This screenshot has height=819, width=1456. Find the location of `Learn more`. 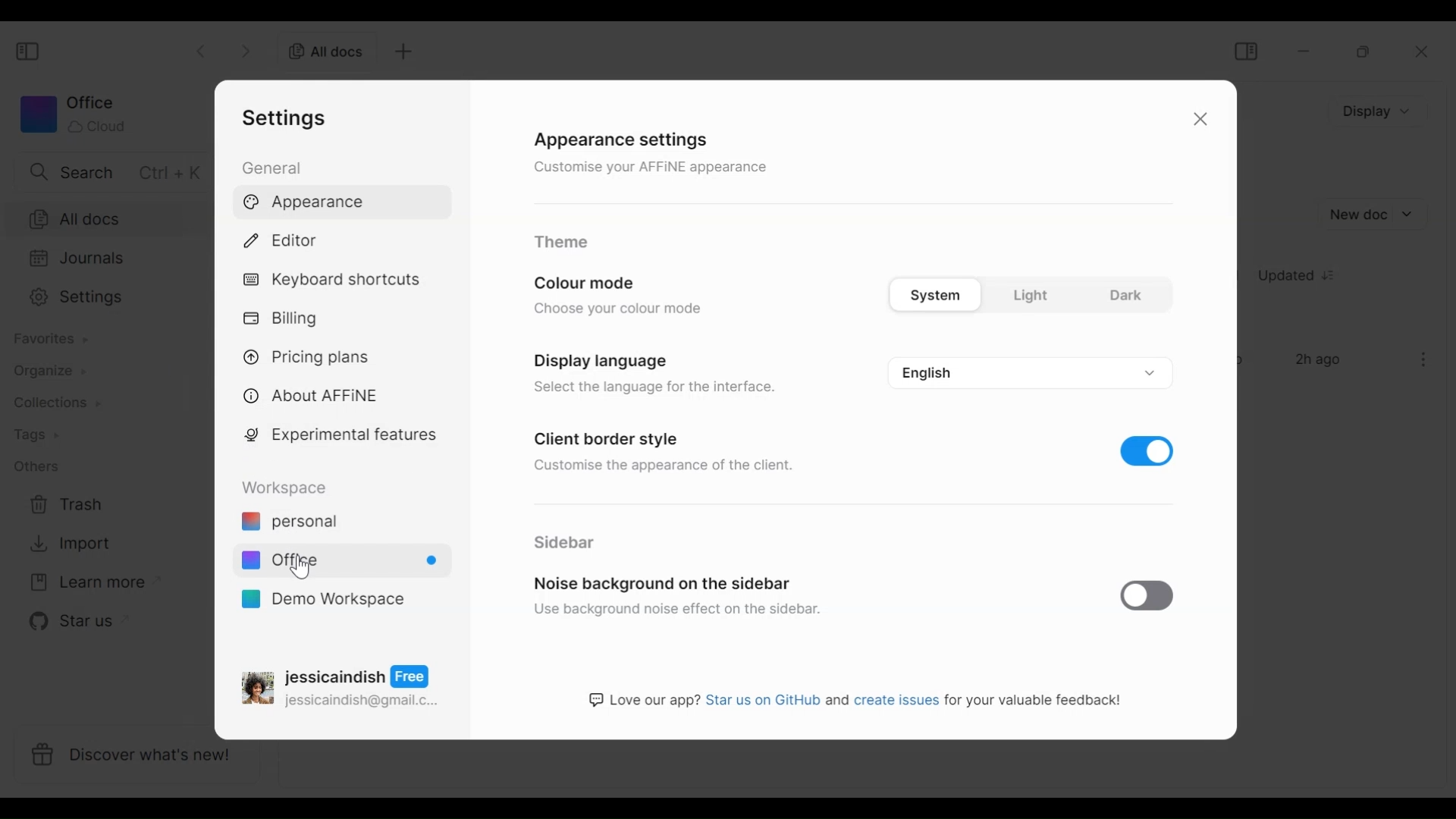

Learn more is located at coordinates (87, 583).